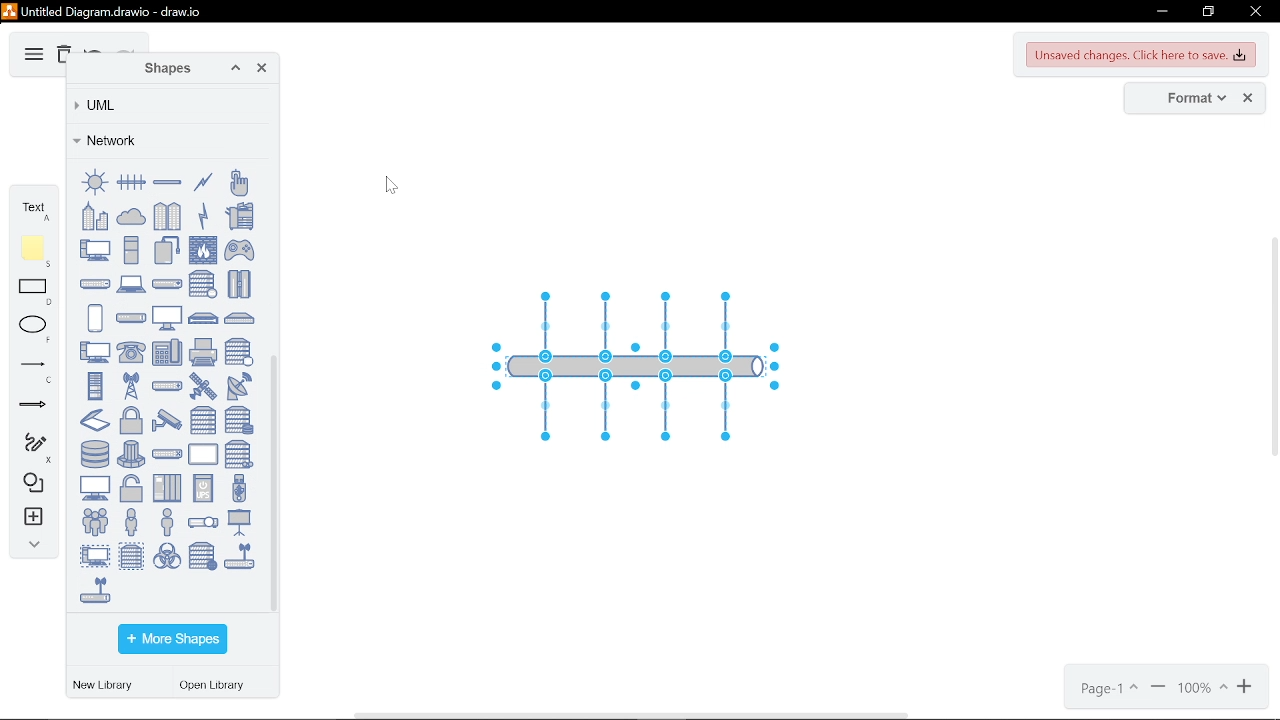 The width and height of the screenshot is (1280, 720). Describe the element at coordinates (131, 249) in the screenshot. I see `desktop PC` at that location.